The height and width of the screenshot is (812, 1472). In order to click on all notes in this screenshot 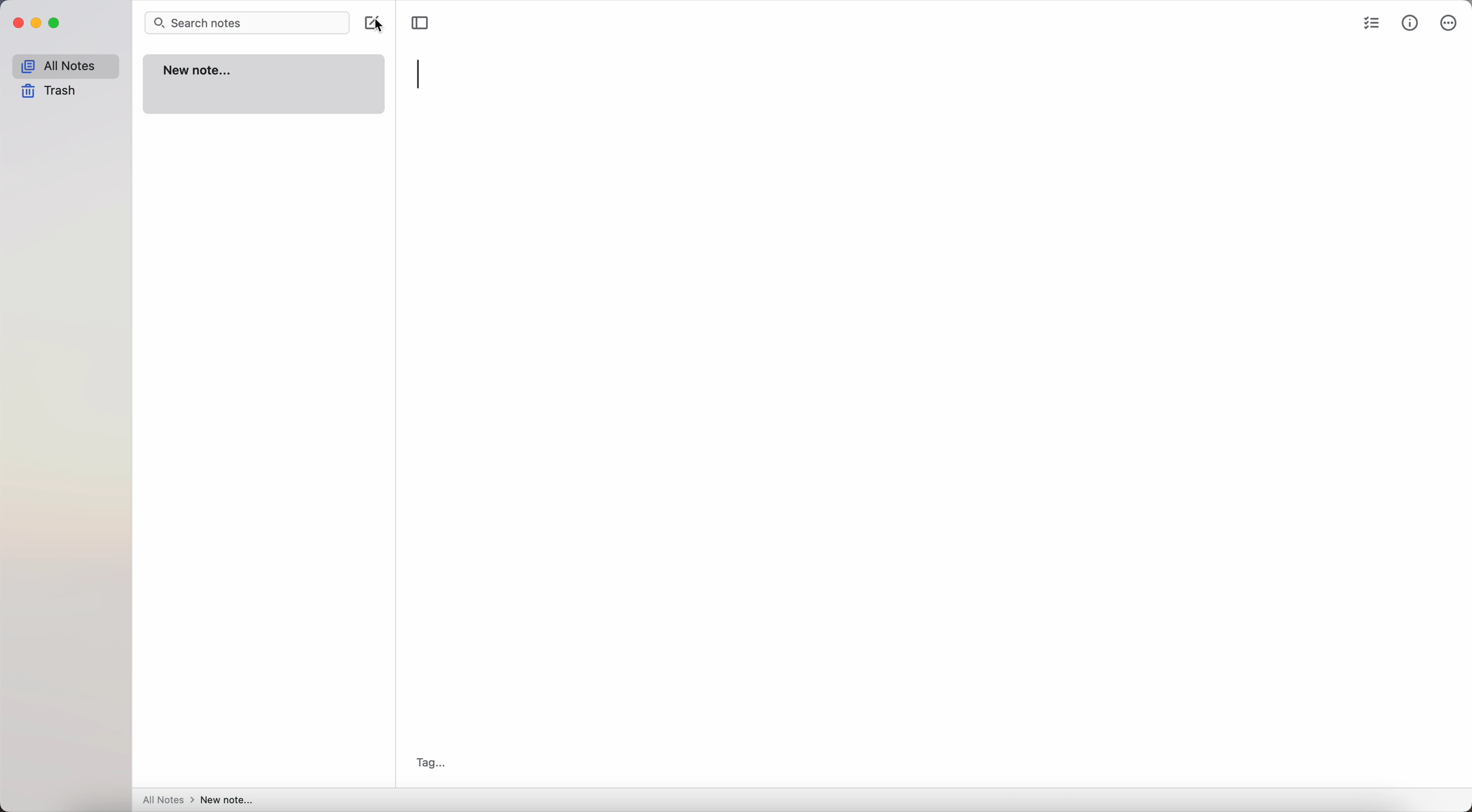, I will do `click(63, 65)`.